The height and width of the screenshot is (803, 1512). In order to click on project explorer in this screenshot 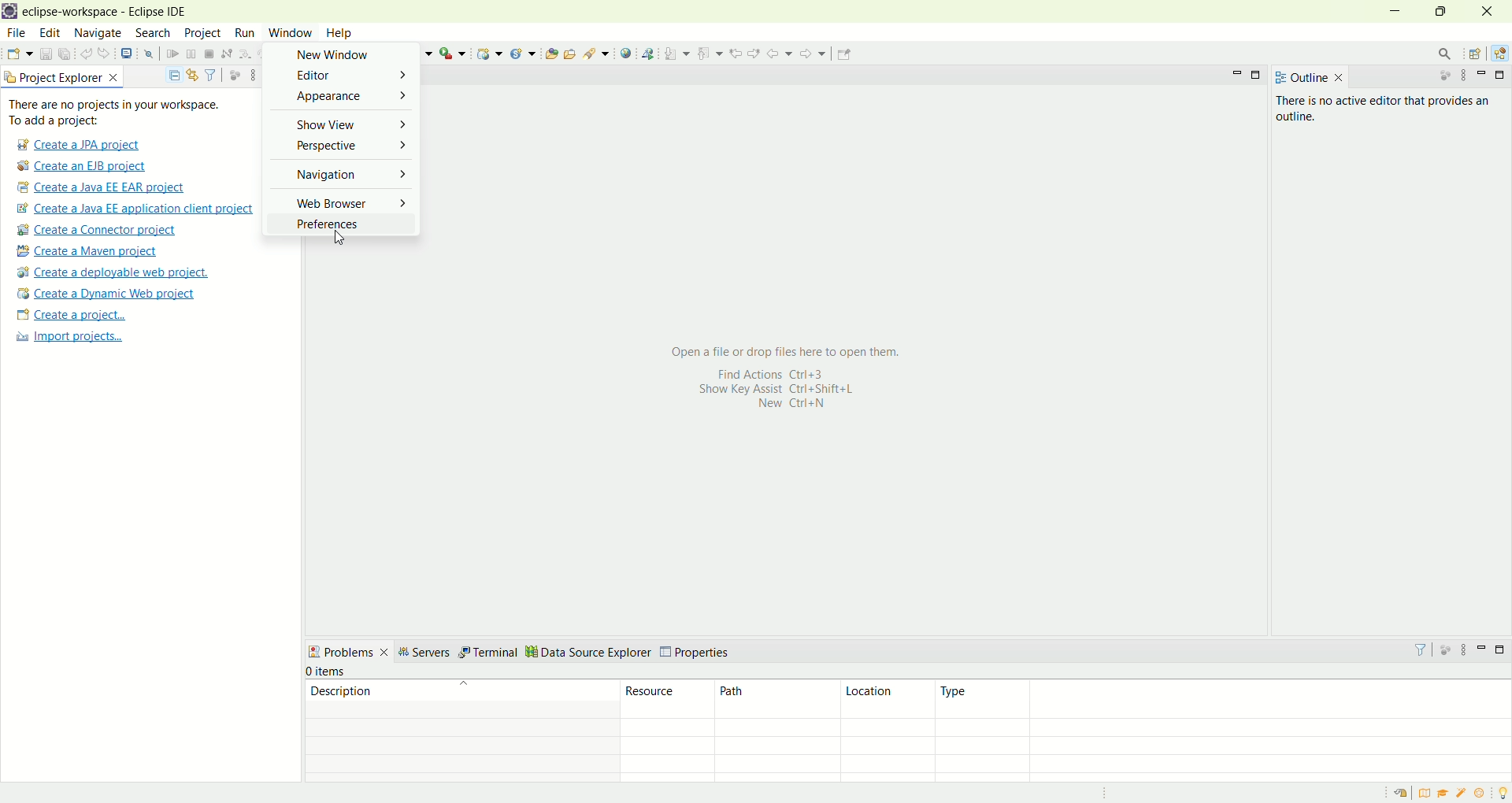, I will do `click(63, 76)`.